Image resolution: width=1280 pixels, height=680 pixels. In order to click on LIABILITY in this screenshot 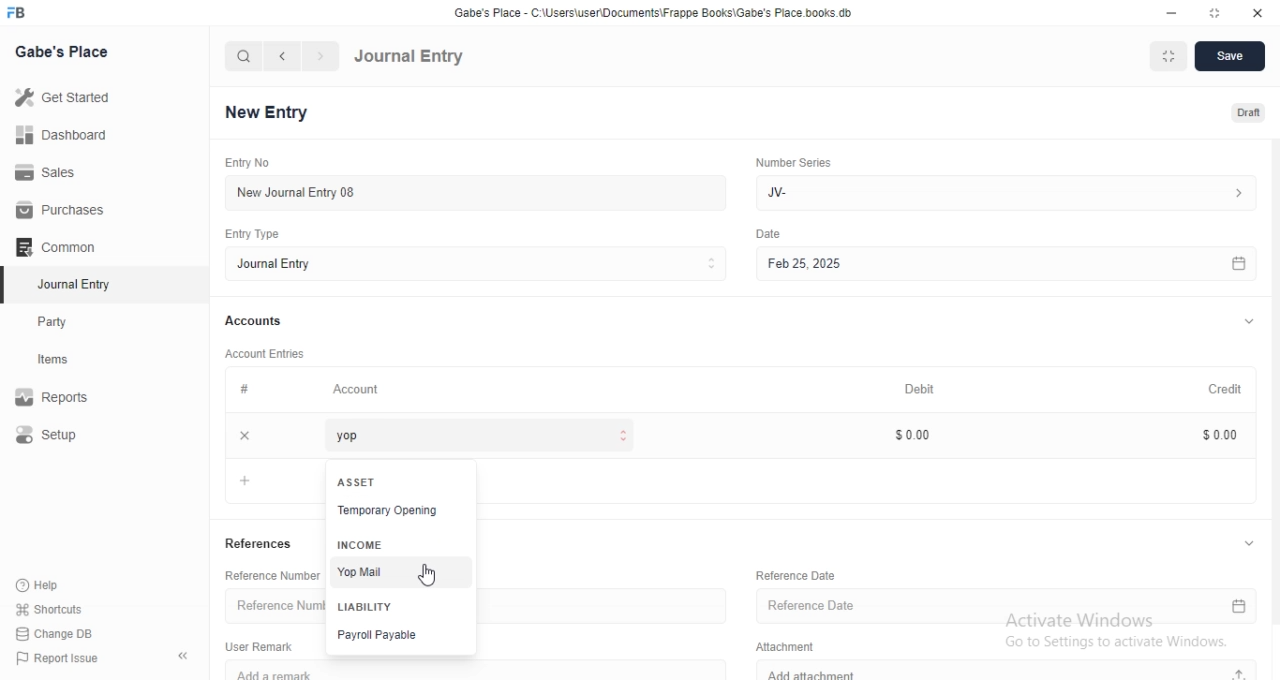, I will do `click(367, 606)`.